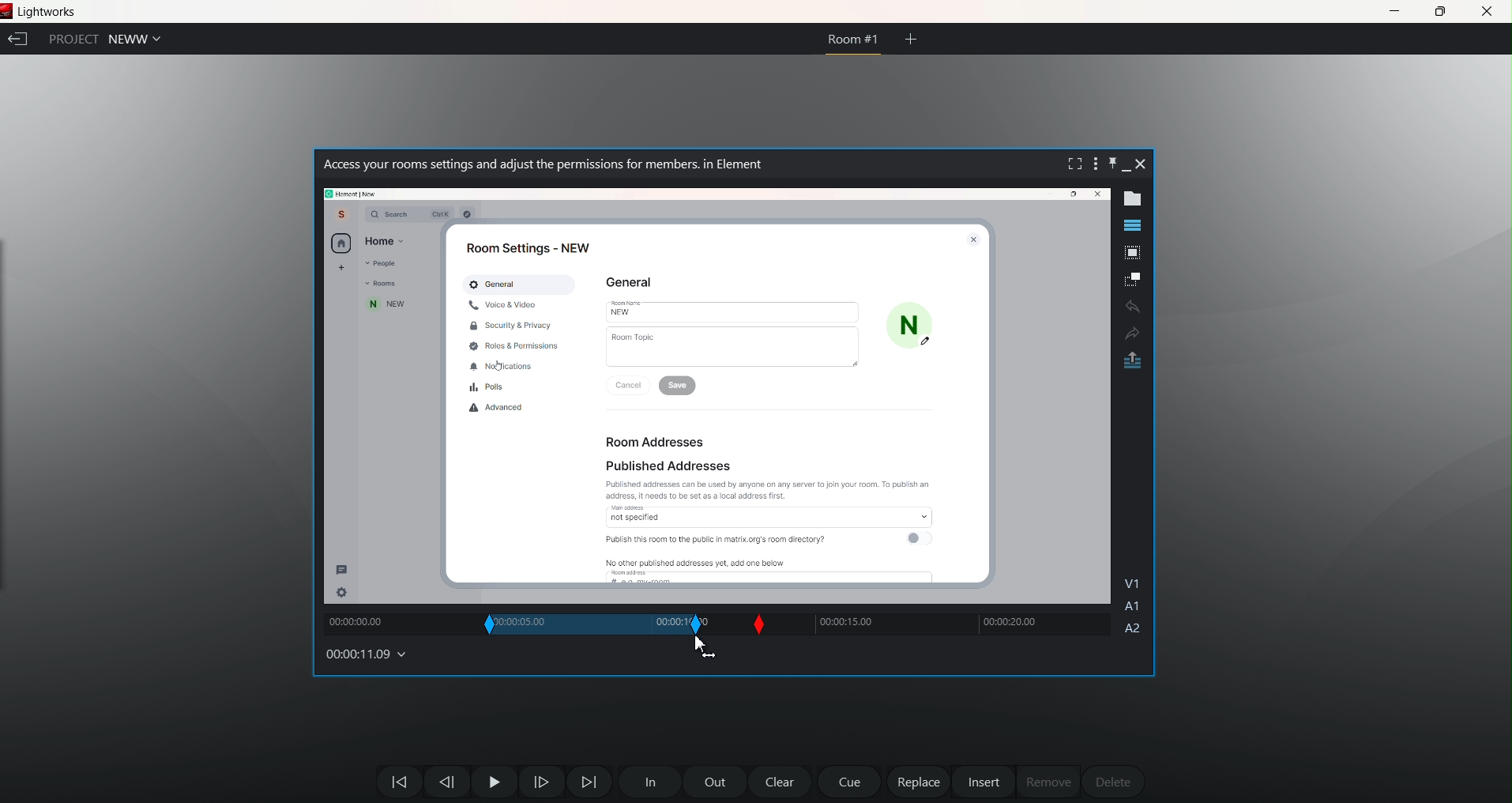 The width and height of the screenshot is (1512, 803). What do you see at coordinates (1488, 10) in the screenshot?
I see `close` at bounding box center [1488, 10].